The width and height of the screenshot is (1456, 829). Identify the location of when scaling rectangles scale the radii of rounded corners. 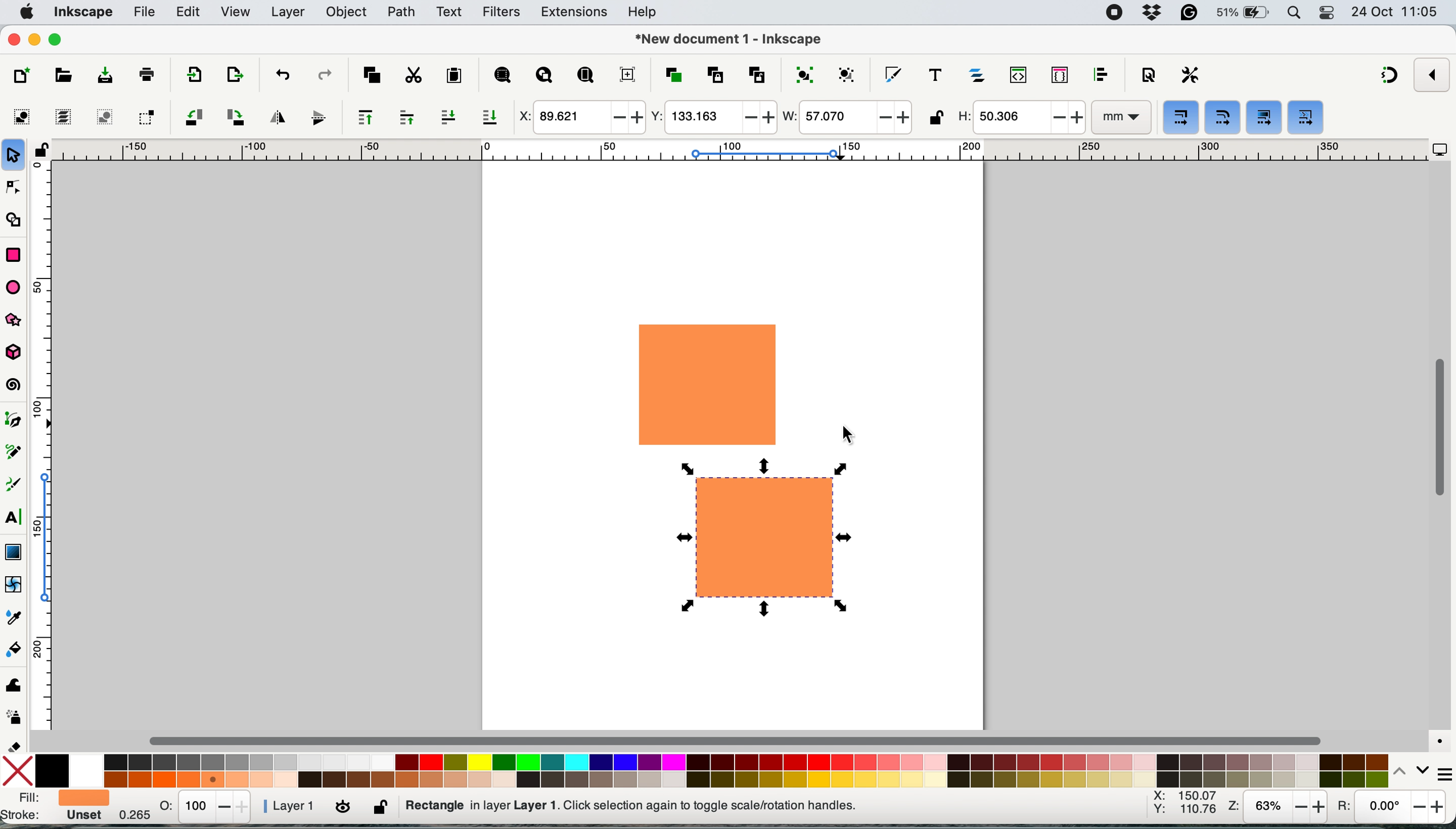
(1221, 118).